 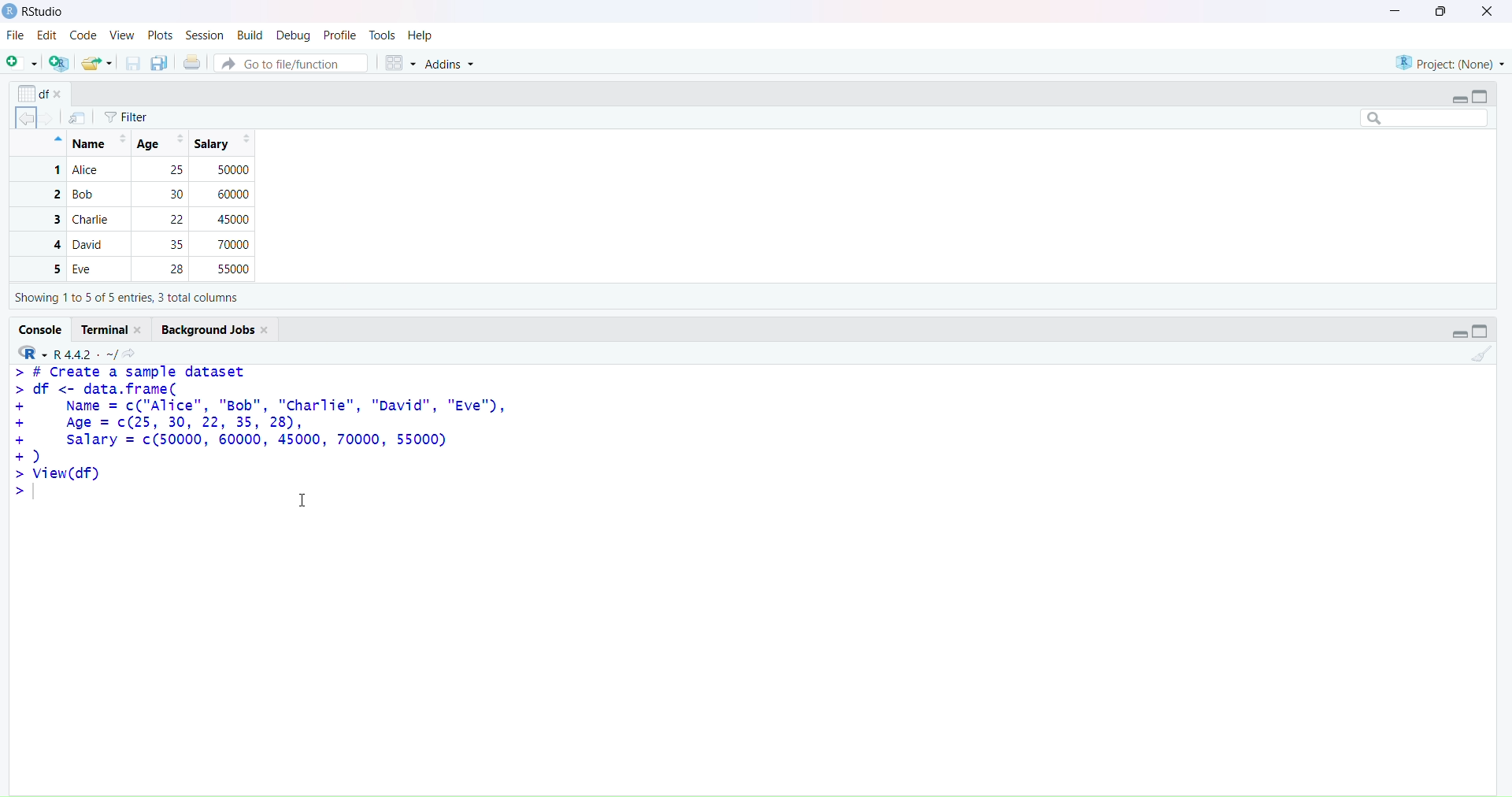 What do you see at coordinates (16, 36) in the screenshot?
I see `file` at bounding box center [16, 36].